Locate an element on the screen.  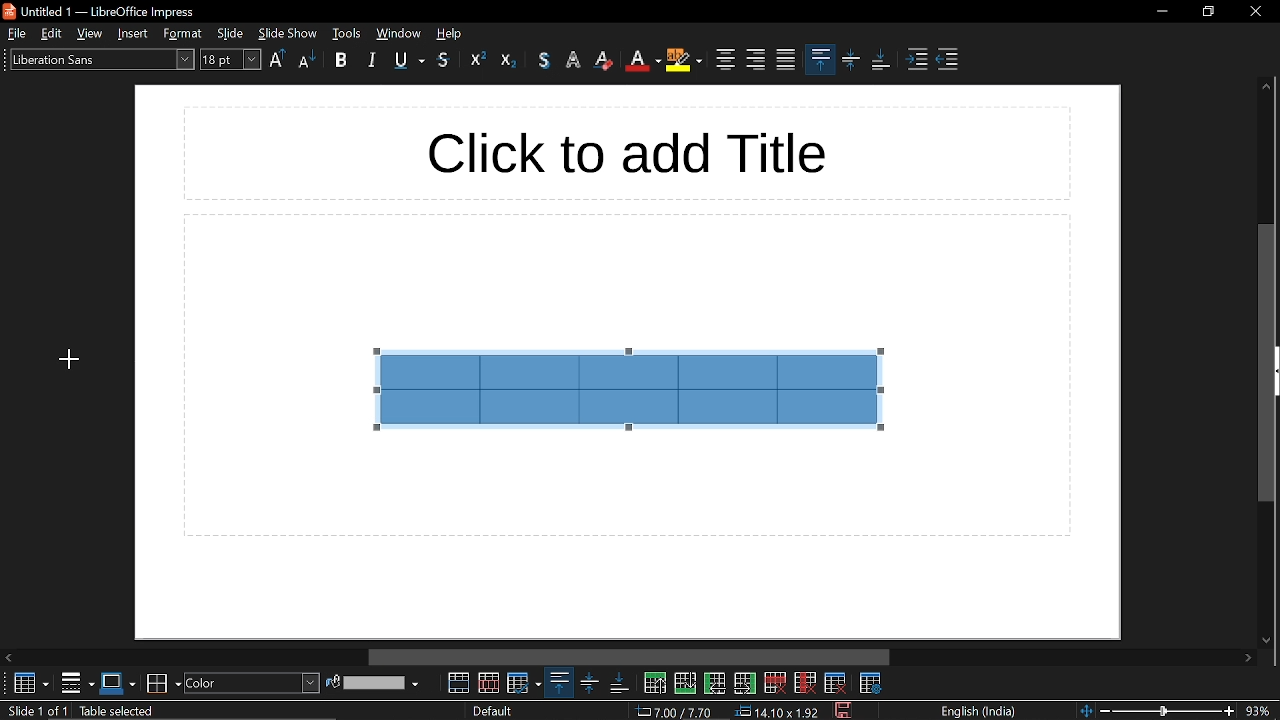
border color is located at coordinates (163, 681).